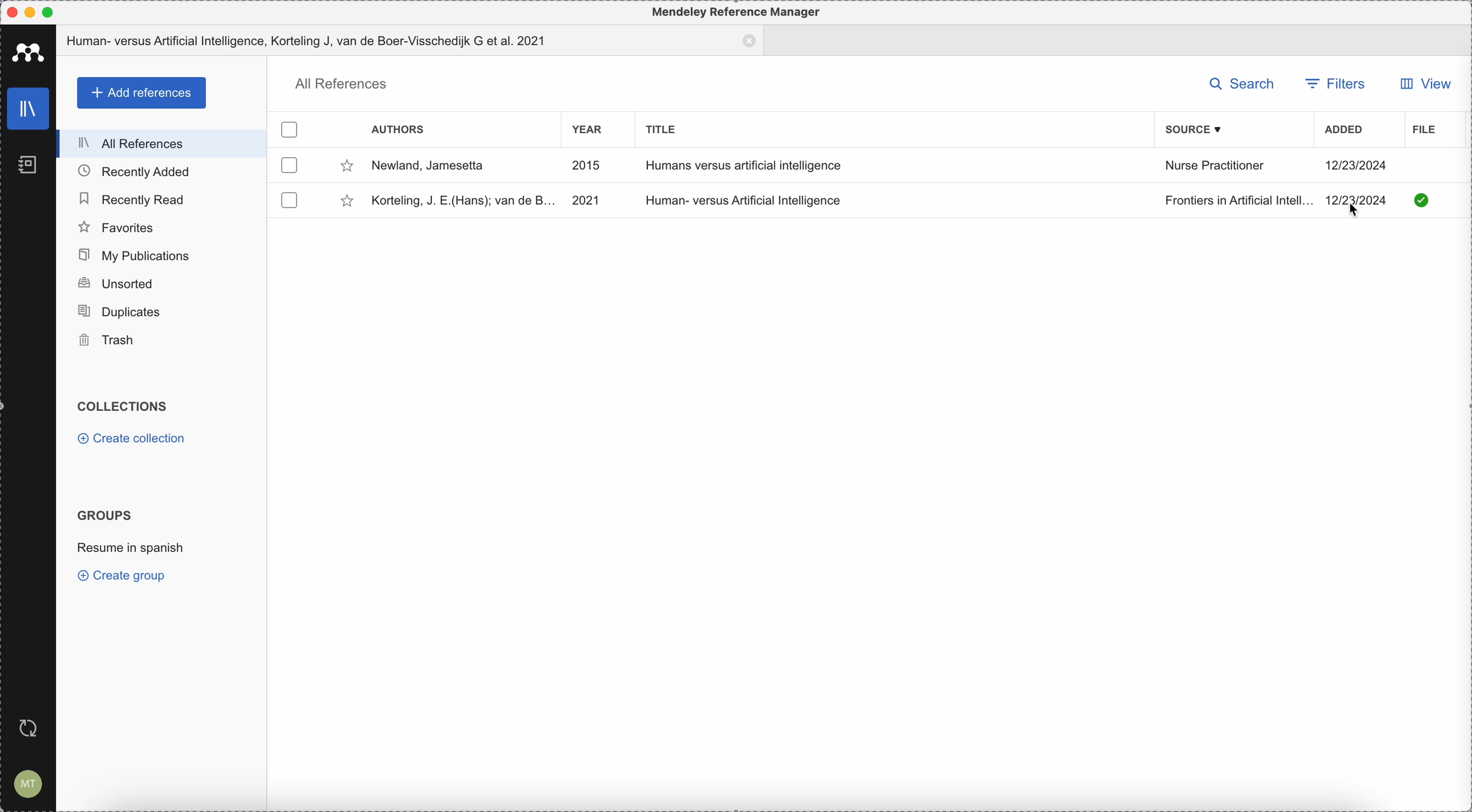 Image resolution: width=1472 pixels, height=812 pixels. Describe the element at coordinates (1241, 83) in the screenshot. I see `search` at that location.